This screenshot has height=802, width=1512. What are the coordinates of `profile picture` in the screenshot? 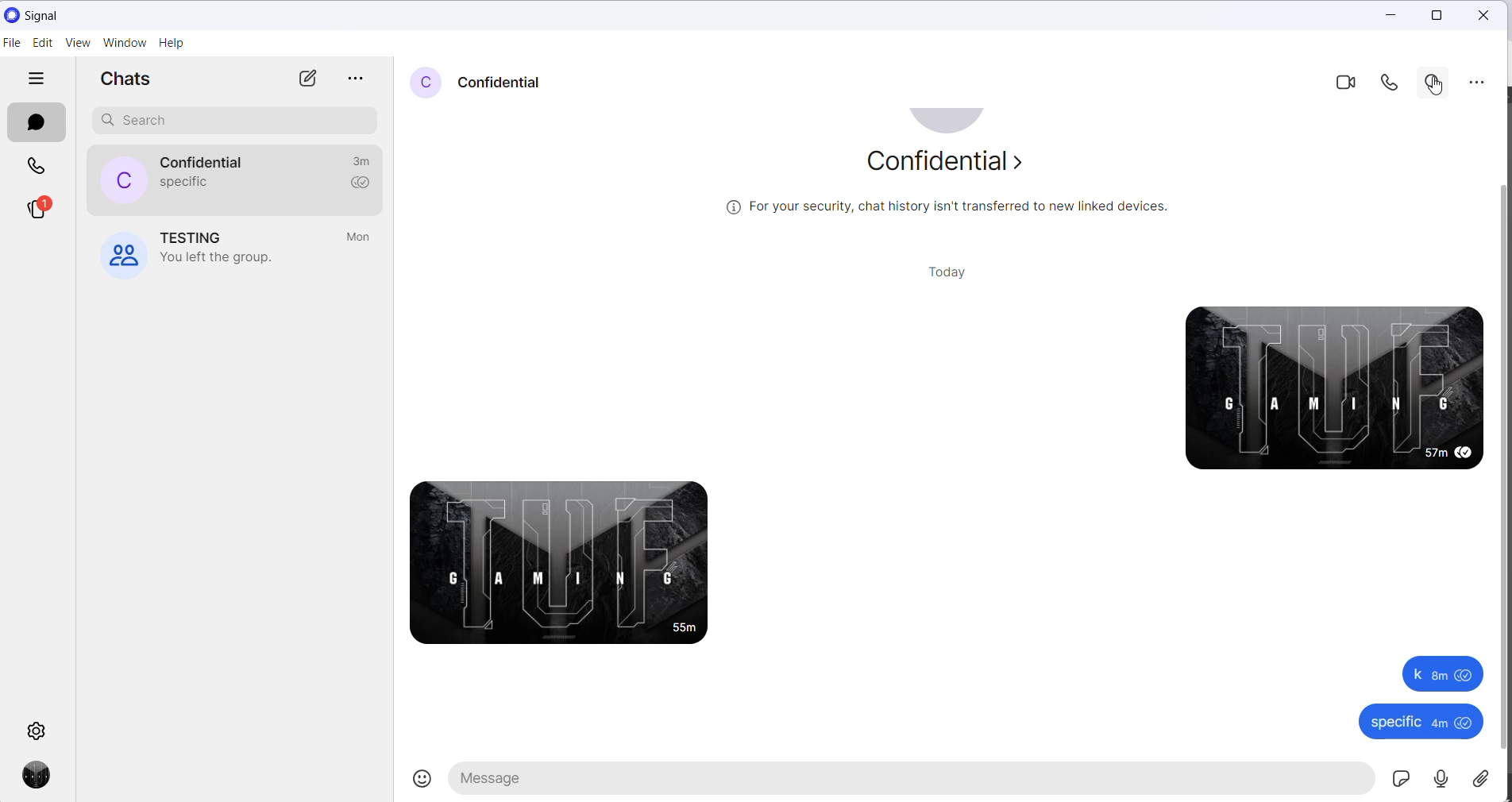 It's located at (424, 83).